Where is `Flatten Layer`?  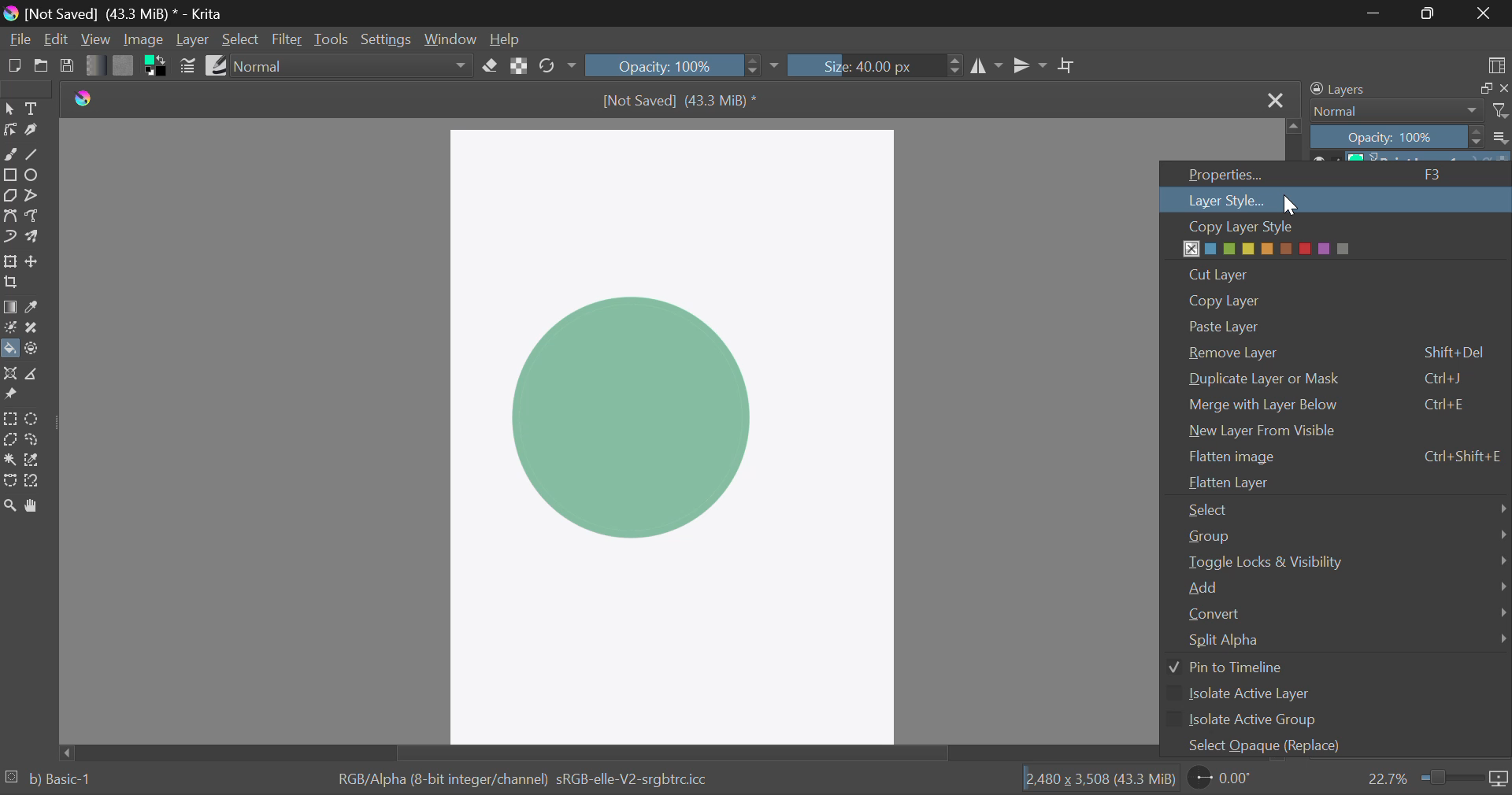 Flatten Layer is located at coordinates (1337, 481).